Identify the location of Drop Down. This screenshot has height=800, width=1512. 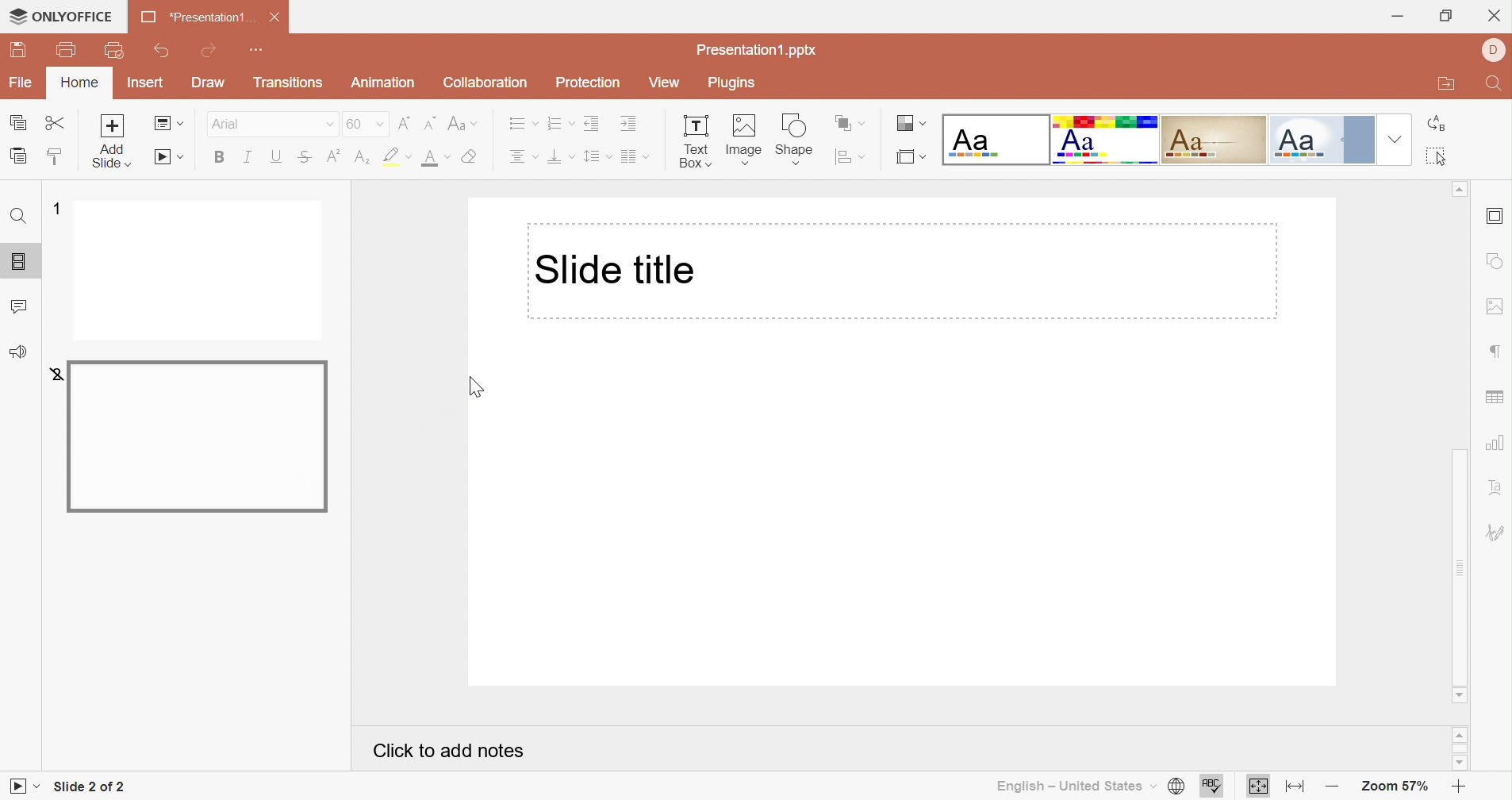
(1394, 142).